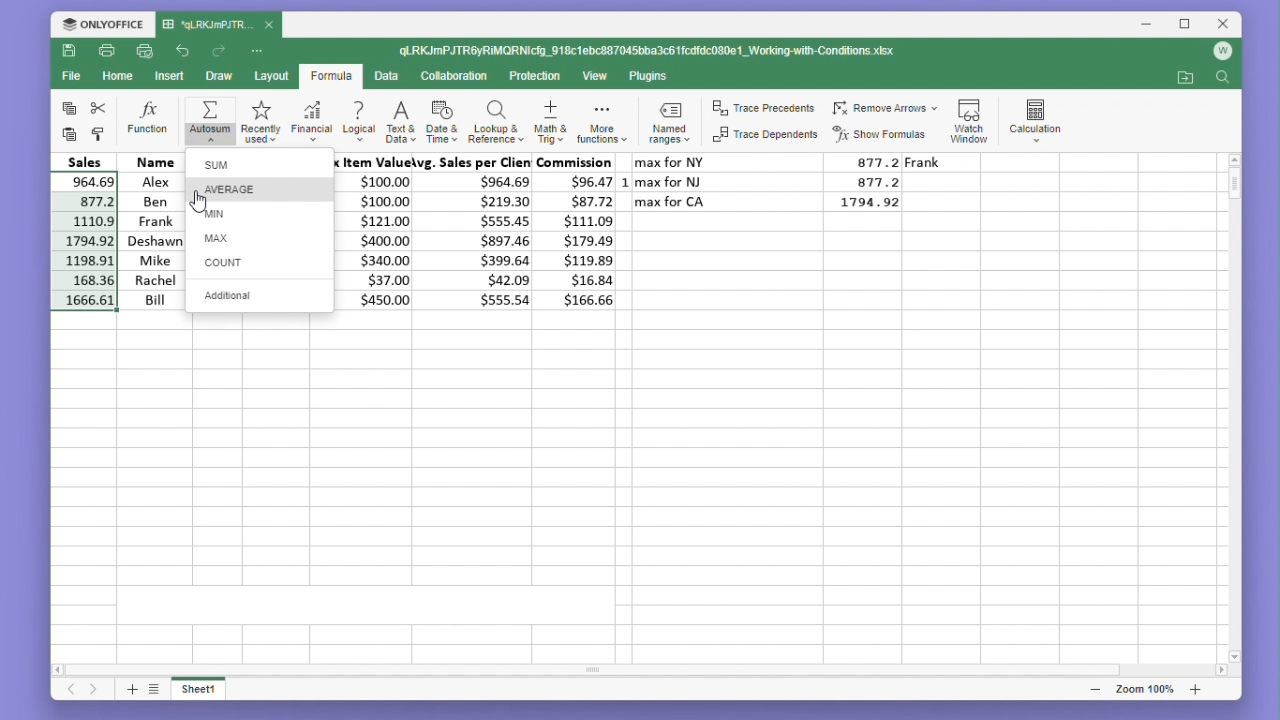  Describe the element at coordinates (206, 25) in the screenshot. I see `'qLRKJmJTR...` at that location.